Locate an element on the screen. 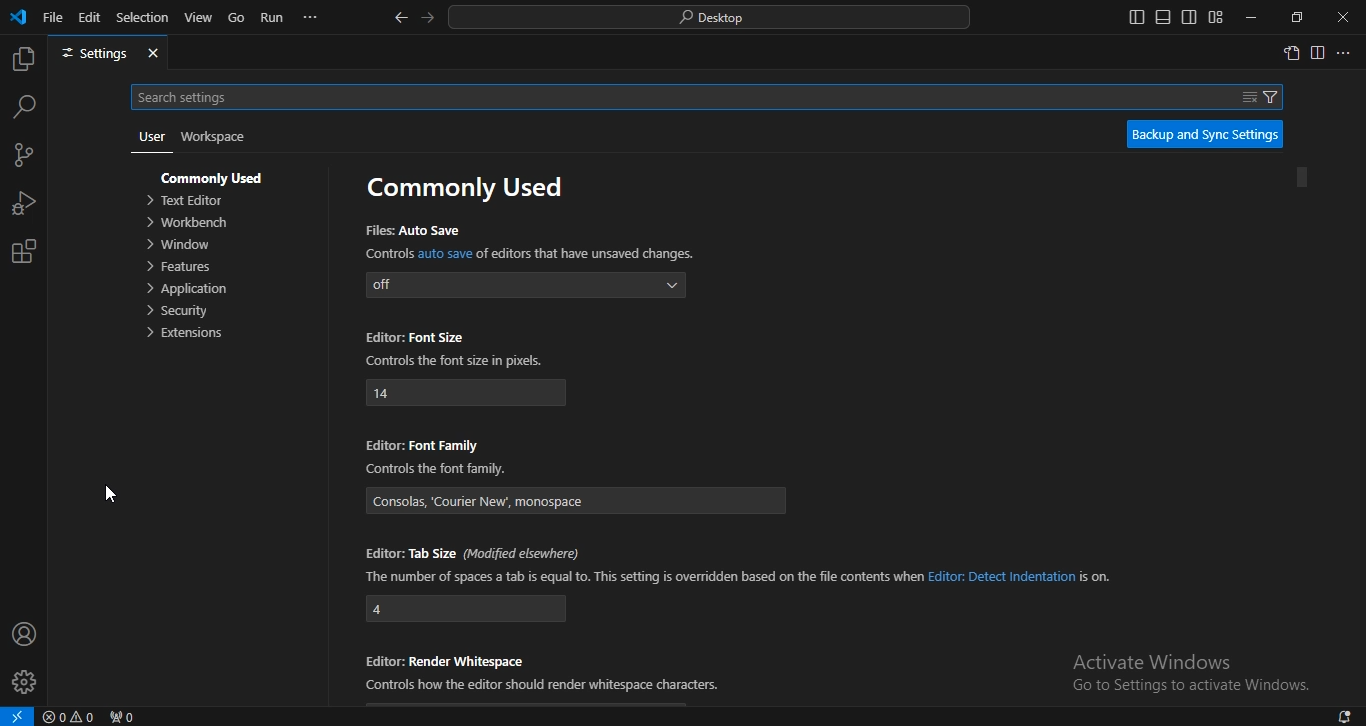 The image size is (1366, 726). split right editor is located at coordinates (1320, 52).